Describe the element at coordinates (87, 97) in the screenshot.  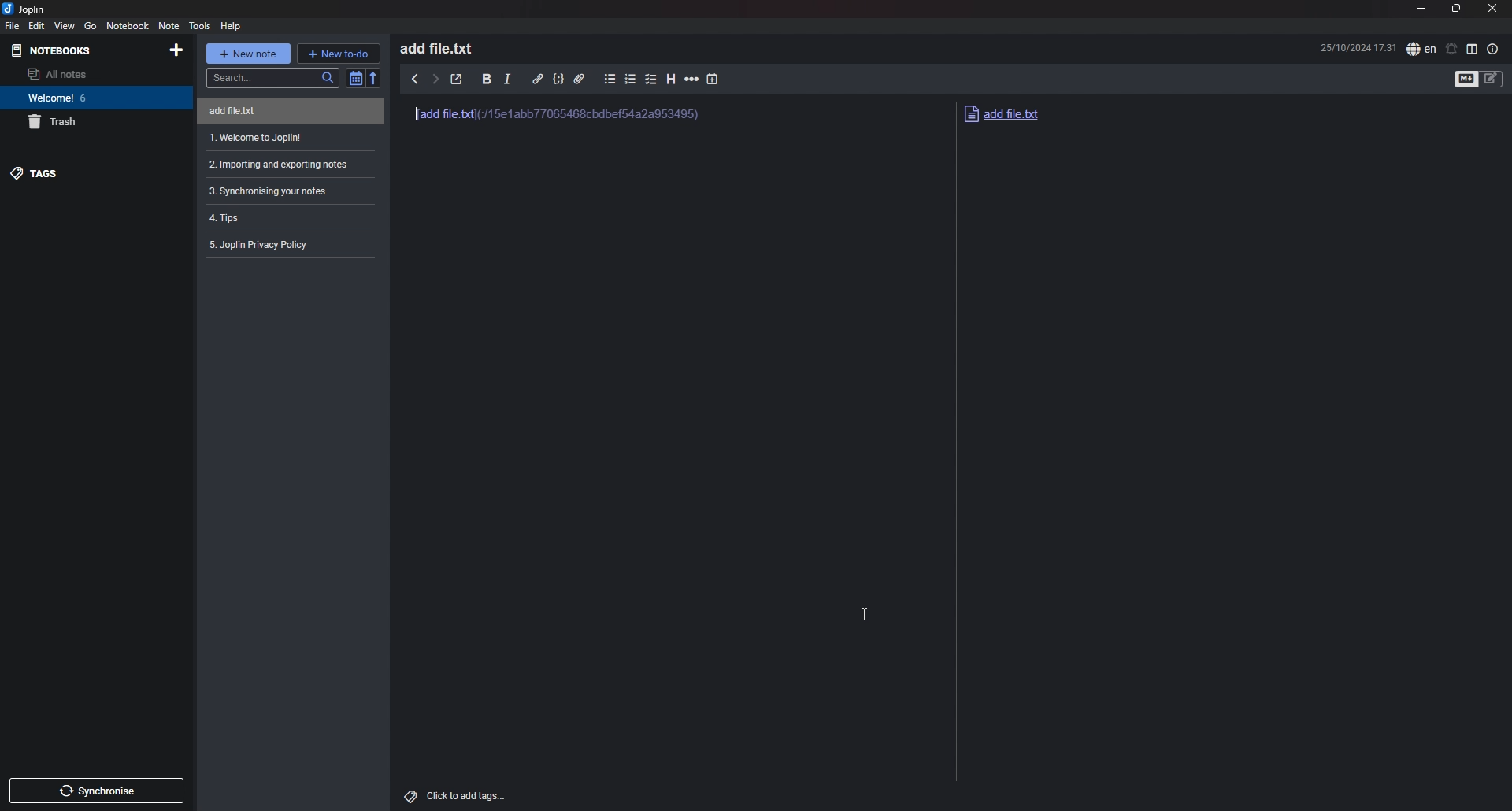
I see `welcome` at that location.